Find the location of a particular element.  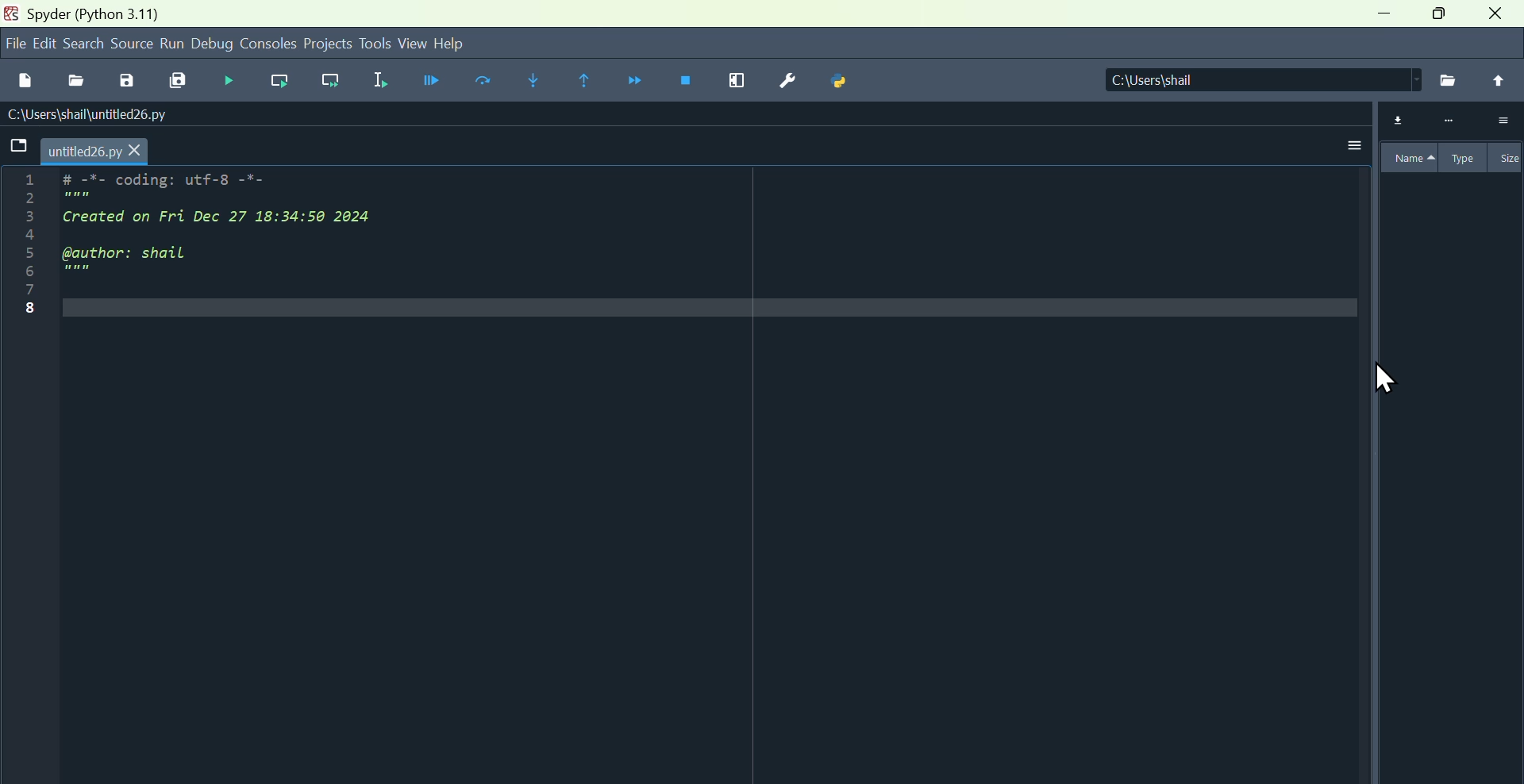

tools is located at coordinates (375, 43).